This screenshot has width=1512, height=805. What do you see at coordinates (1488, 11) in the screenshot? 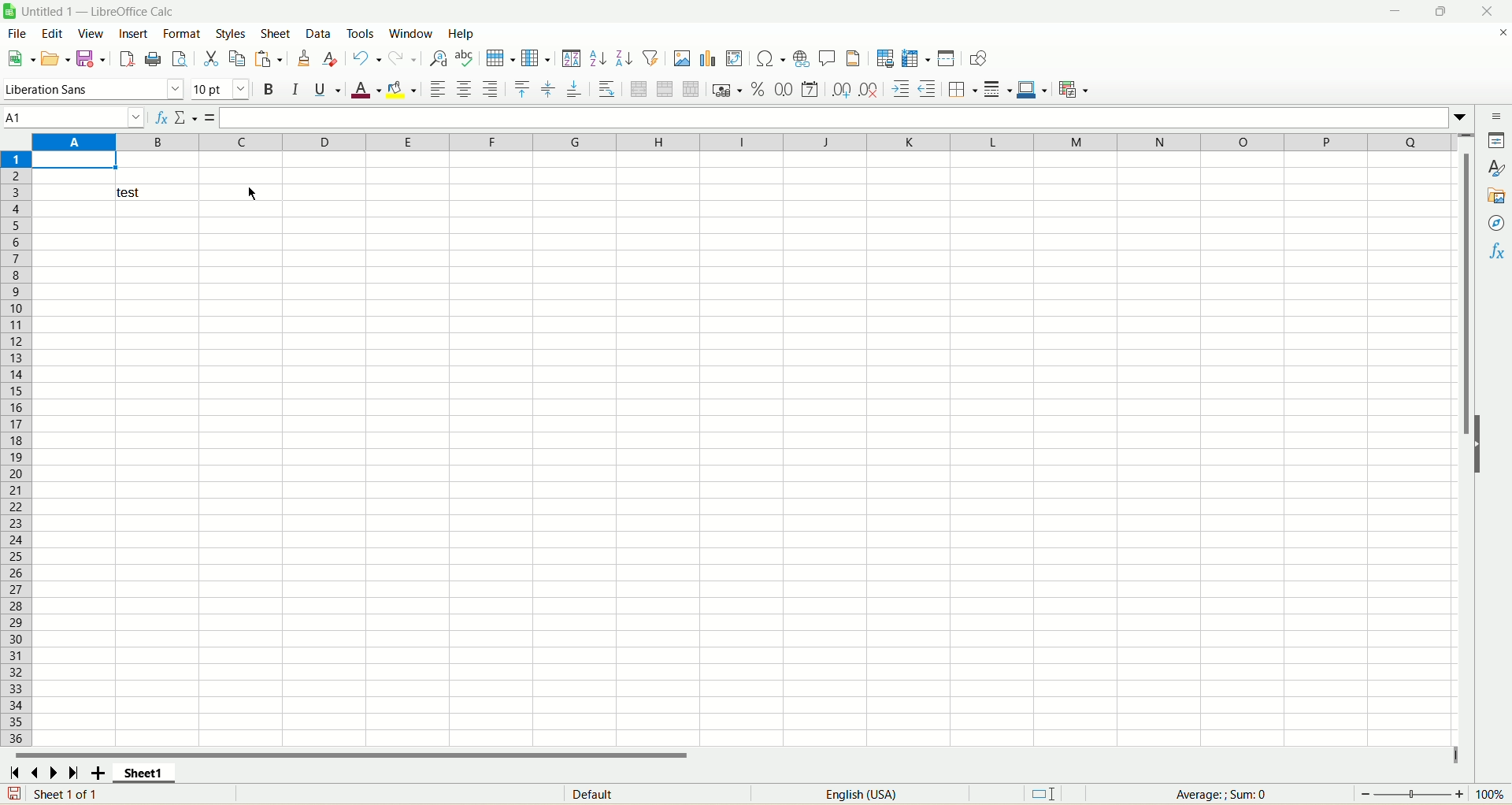
I see `close` at bounding box center [1488, 11].